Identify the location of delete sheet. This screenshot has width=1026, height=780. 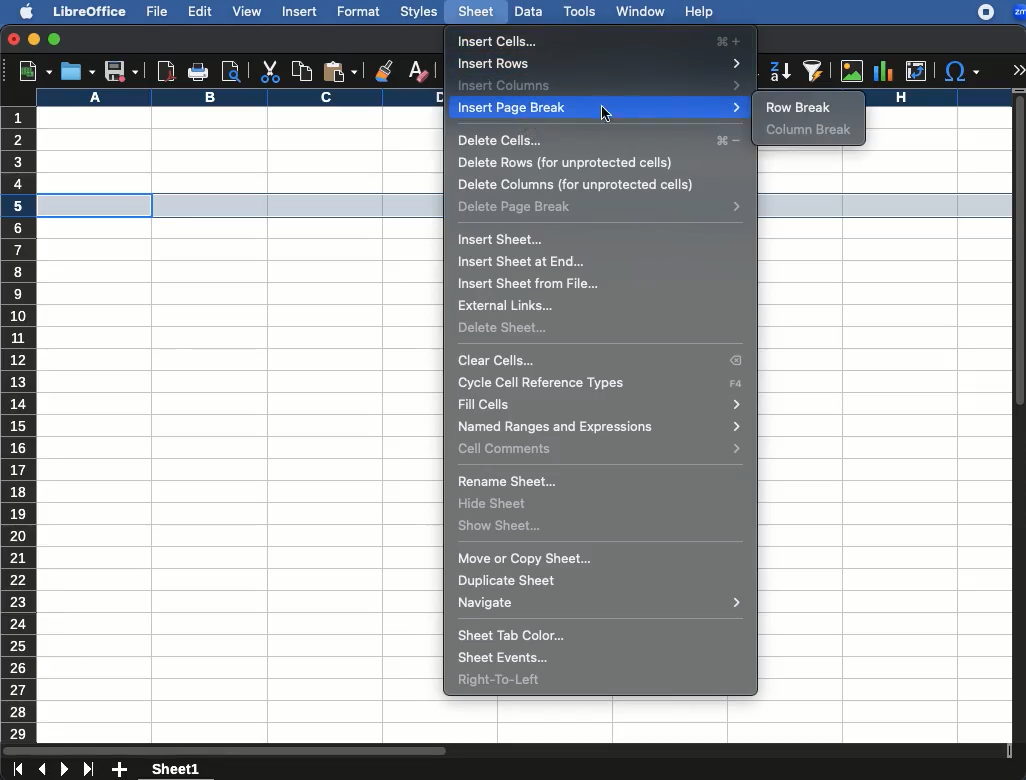
(510, 327).